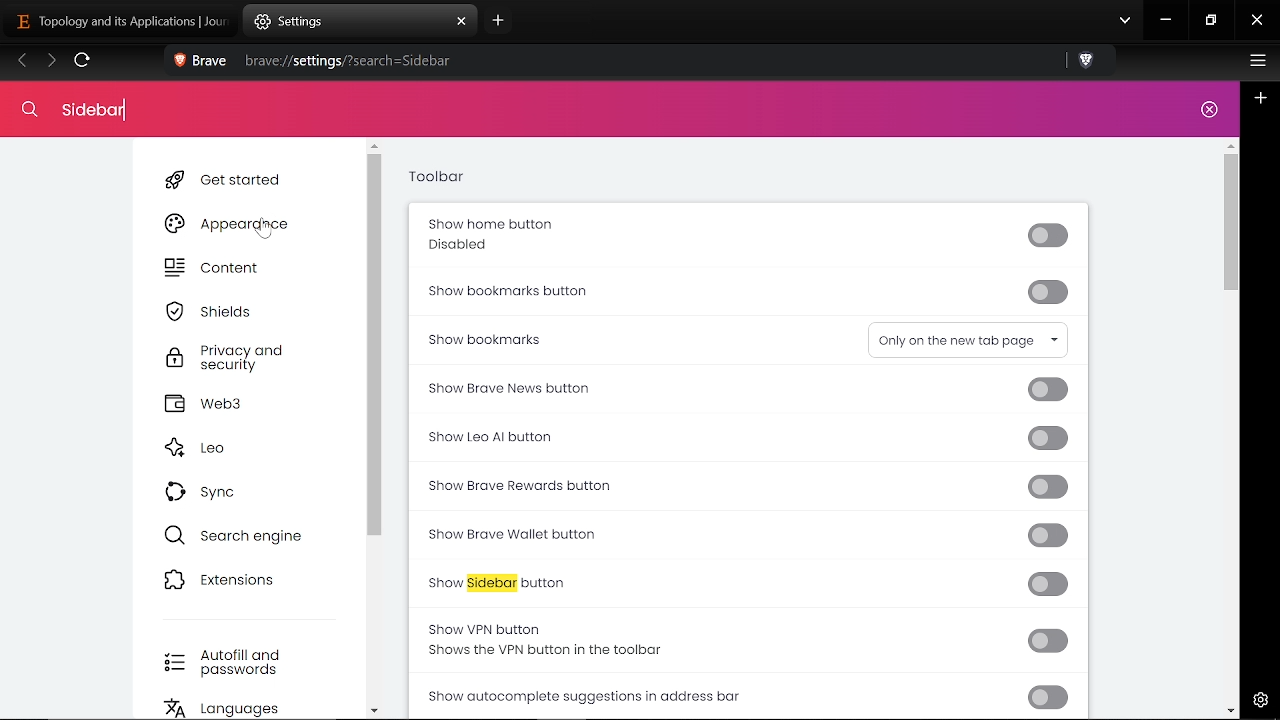 Image resolution: width=1280 pixels, height=720 pixels. What do you see at coordinates (374, 710) in the screenshot?
I see `Move down` at bounding box center [374, 710].